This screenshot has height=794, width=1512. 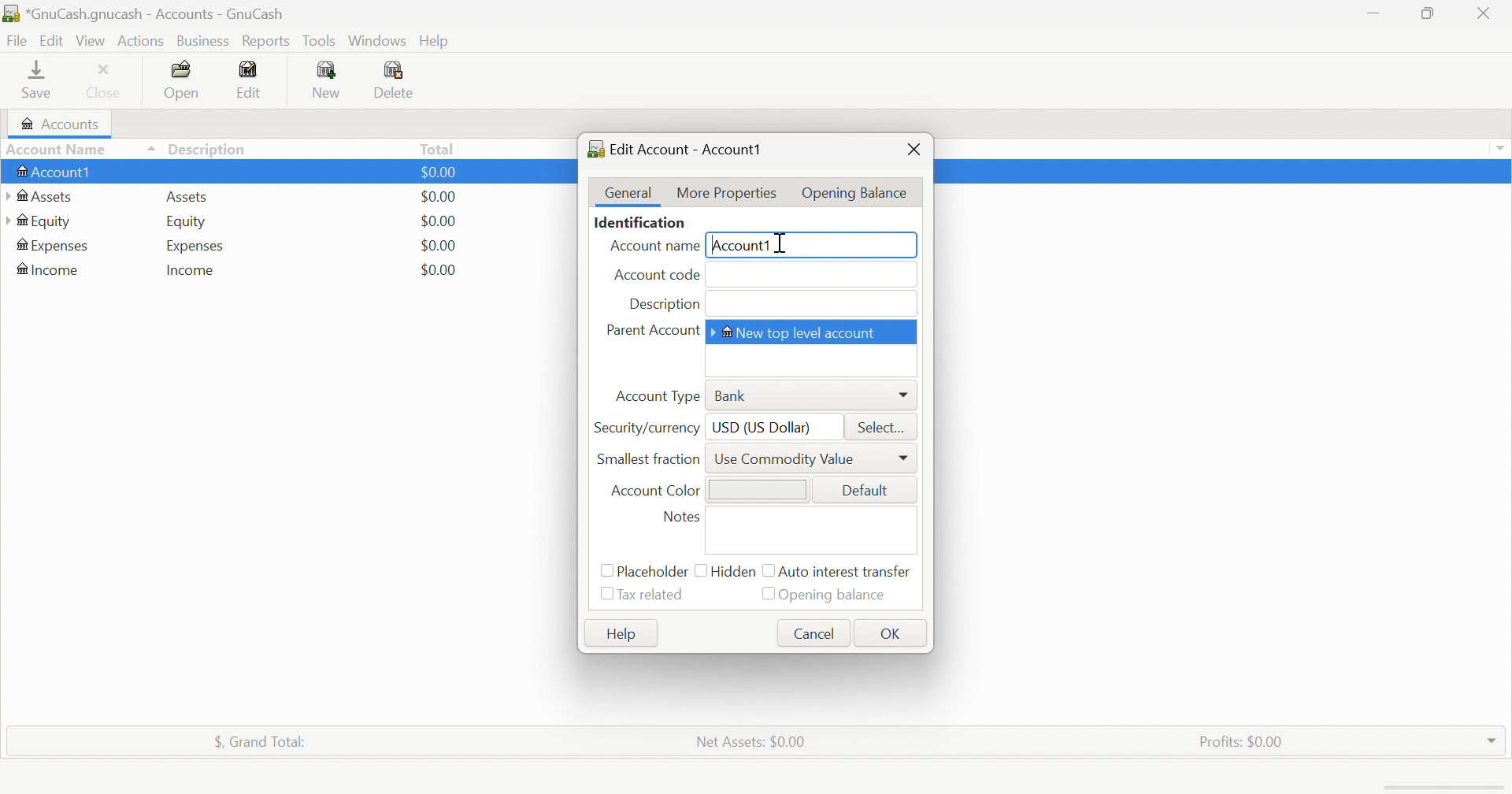 I want to click on Parent Account, so click(x=650, y=330).